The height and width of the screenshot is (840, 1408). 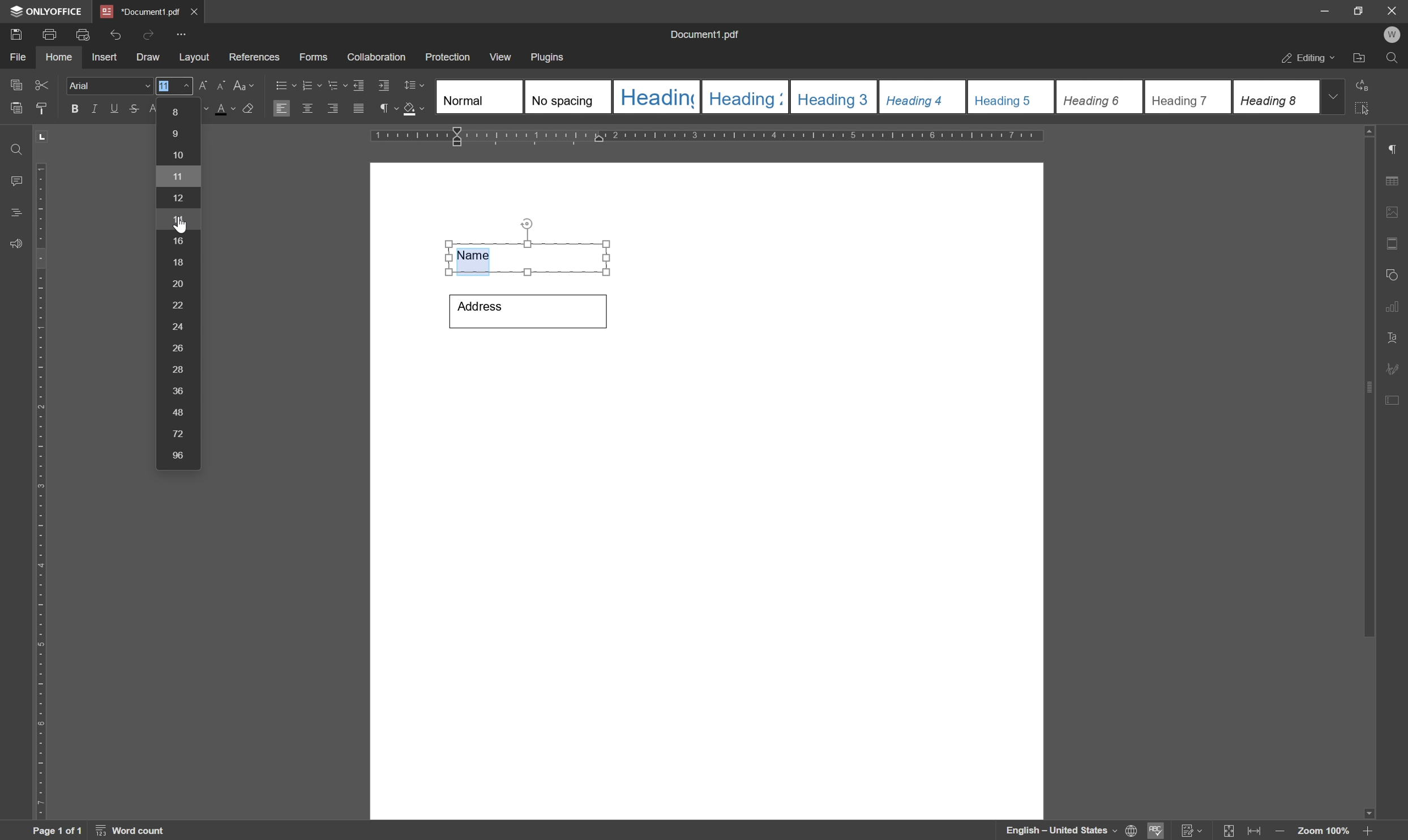 I want to click on header & footer, so click(x=1394, y=245).